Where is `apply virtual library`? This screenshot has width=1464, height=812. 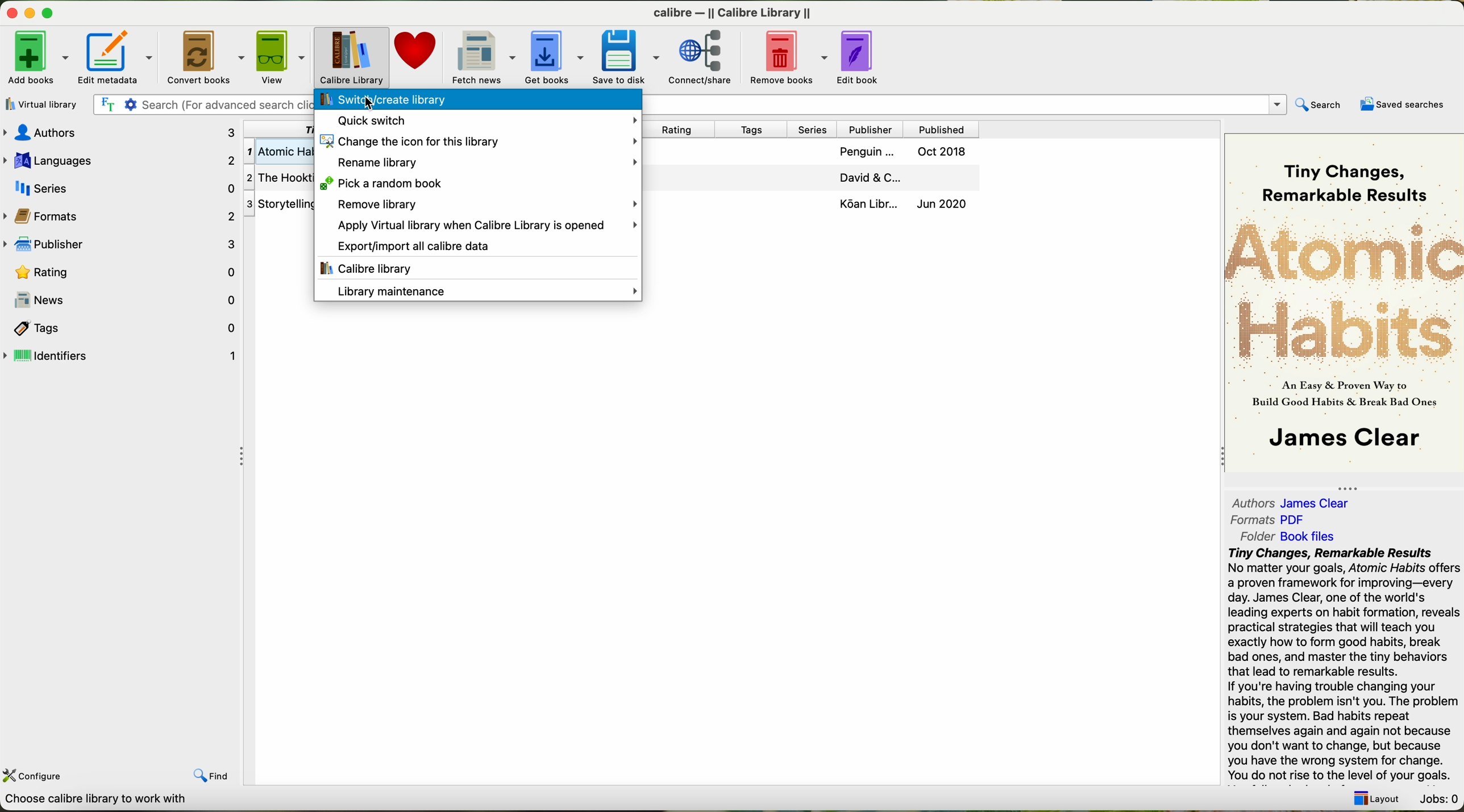 apply virtual library is located at coordinates (479, 226).